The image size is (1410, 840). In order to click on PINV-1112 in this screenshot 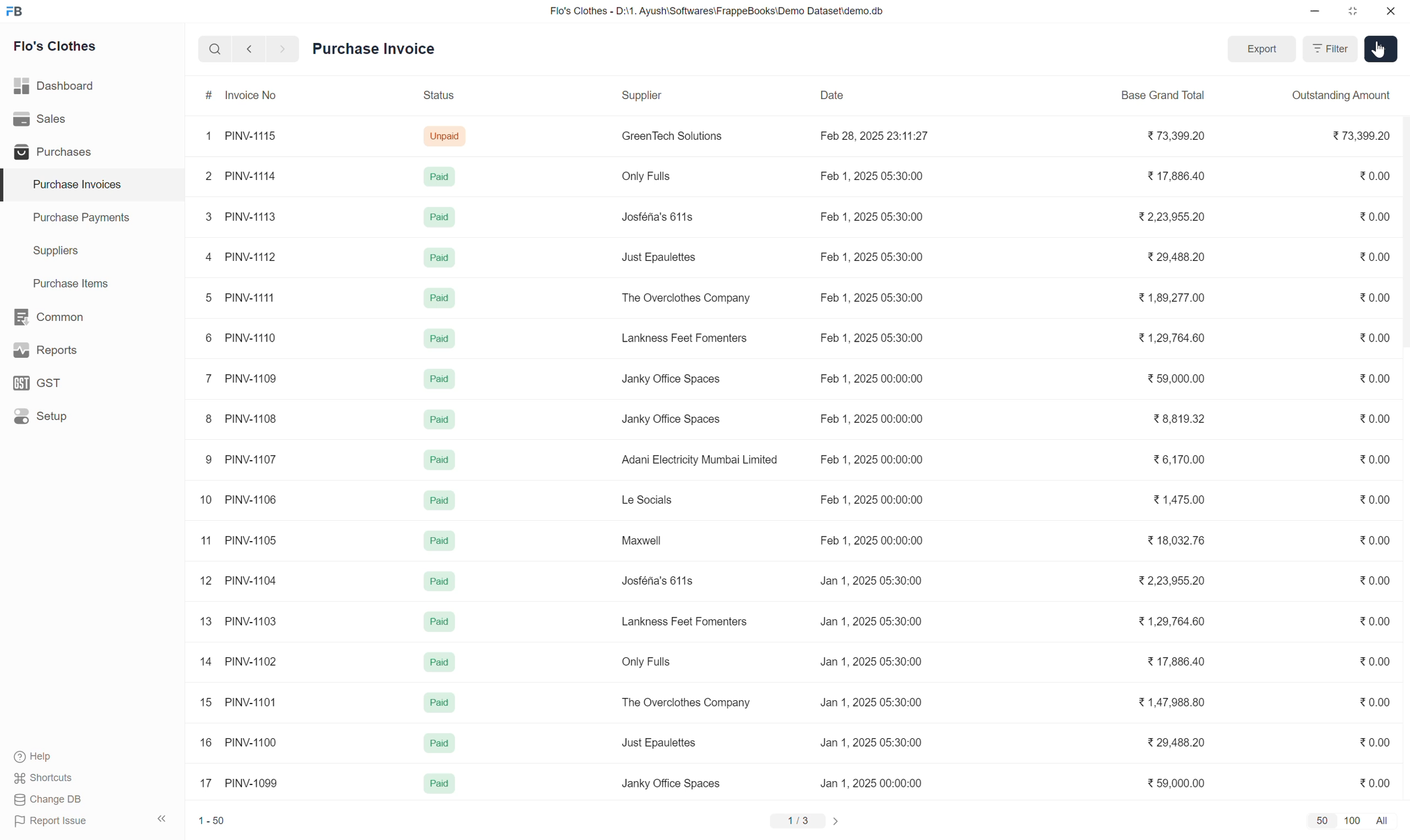, I will do `click(253, 256)`.